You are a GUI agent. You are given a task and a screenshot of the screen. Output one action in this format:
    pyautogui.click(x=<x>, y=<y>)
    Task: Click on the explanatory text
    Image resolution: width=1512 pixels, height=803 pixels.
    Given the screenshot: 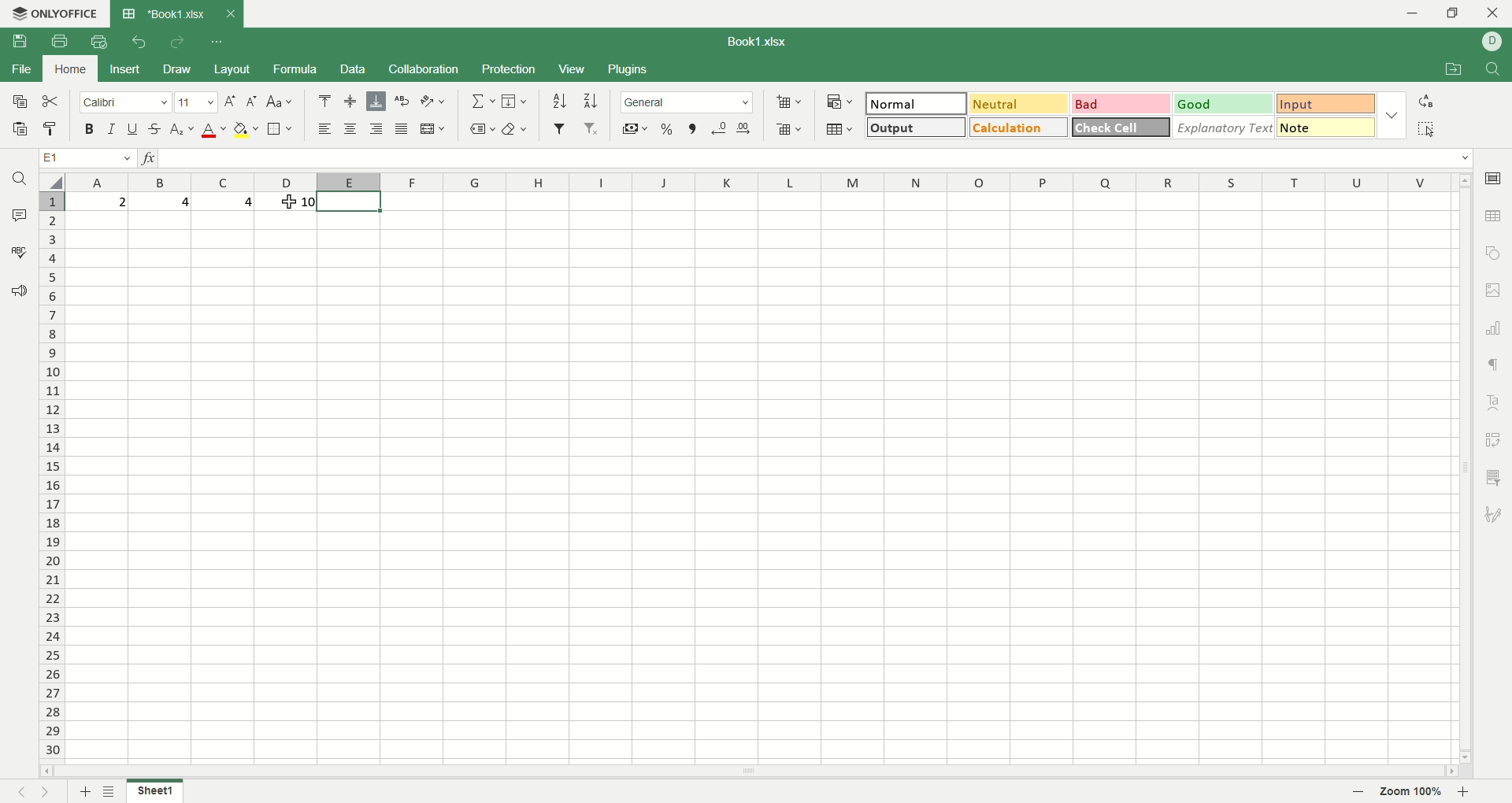 What is the action you would take?
    pyautogui.click(x=1225, y=127)
    